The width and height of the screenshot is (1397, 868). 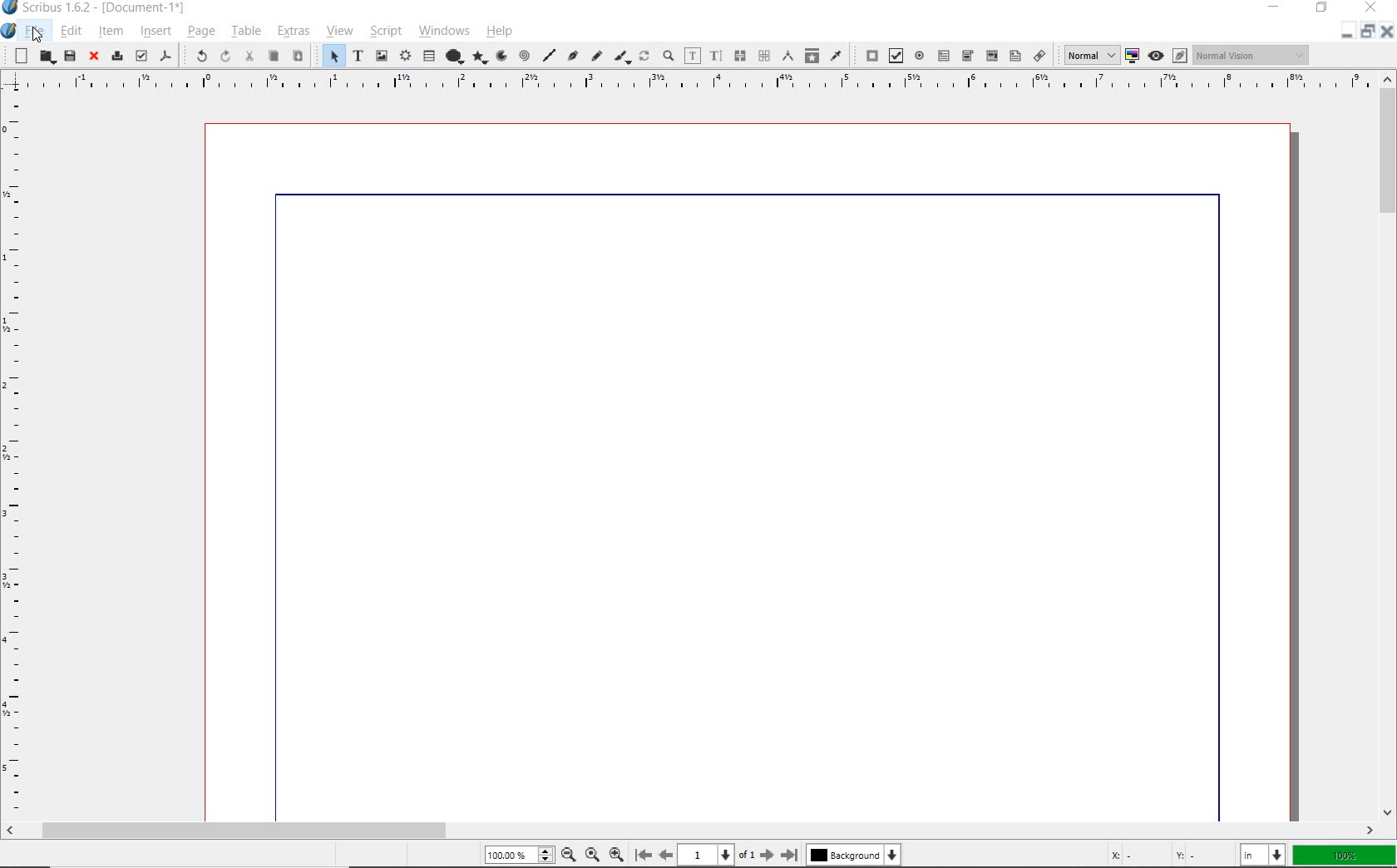 I want to click on Document Workspace, so click(x=748, y=471).